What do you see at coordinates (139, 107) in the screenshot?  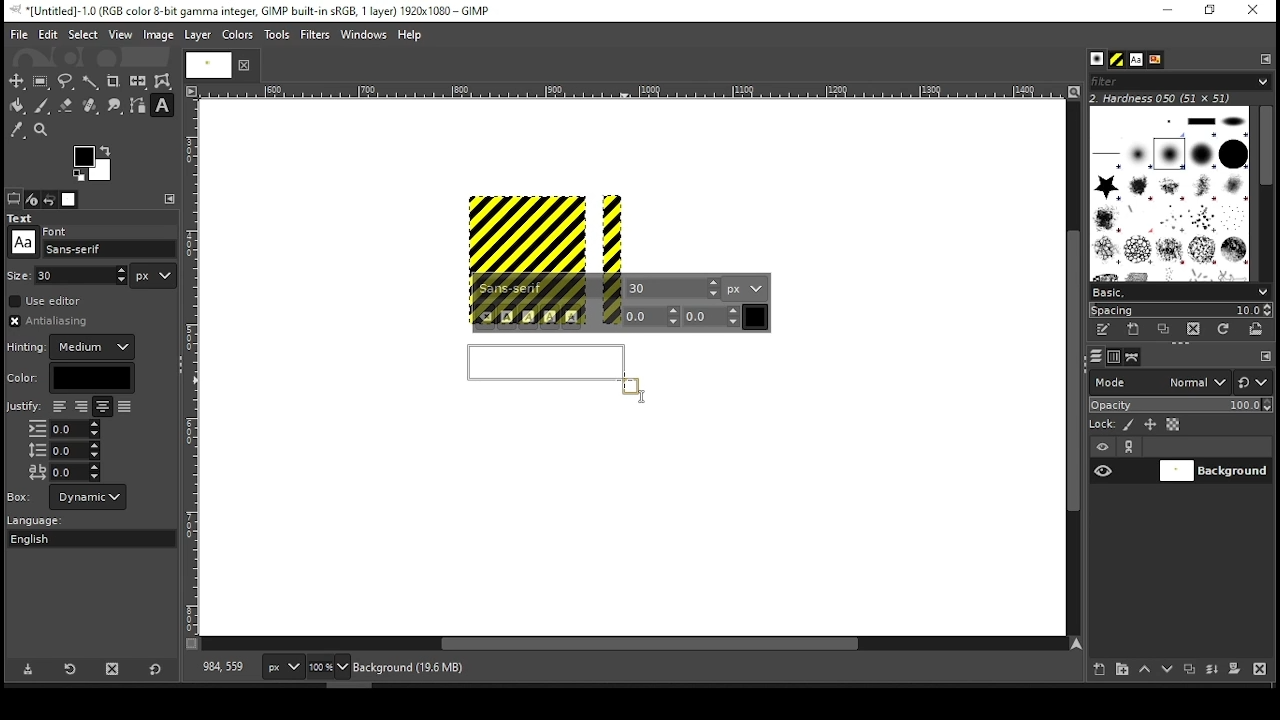 I see `paths tool` at bounding box center [139, 107].